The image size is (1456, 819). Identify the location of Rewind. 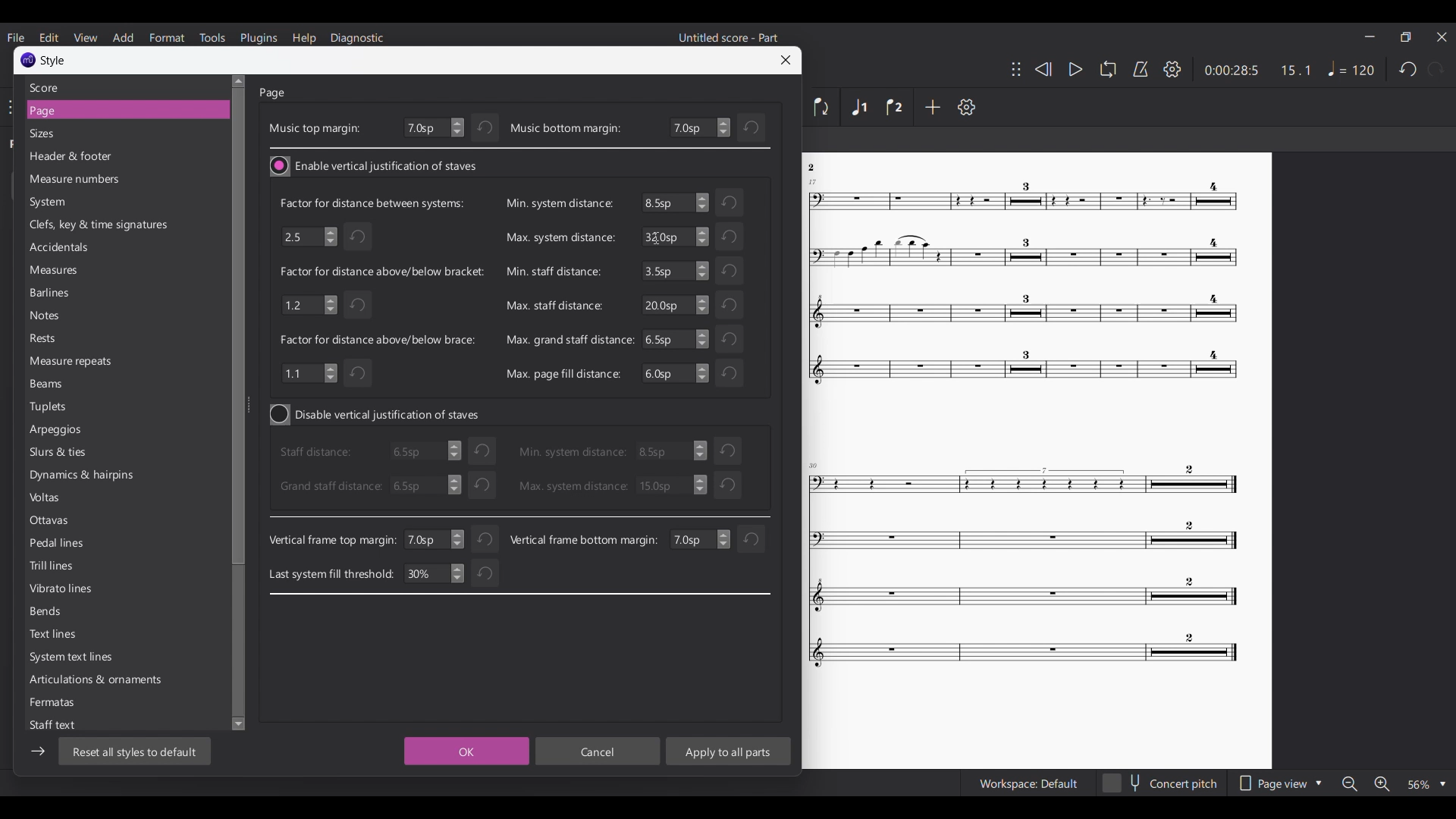
(1043, 69).